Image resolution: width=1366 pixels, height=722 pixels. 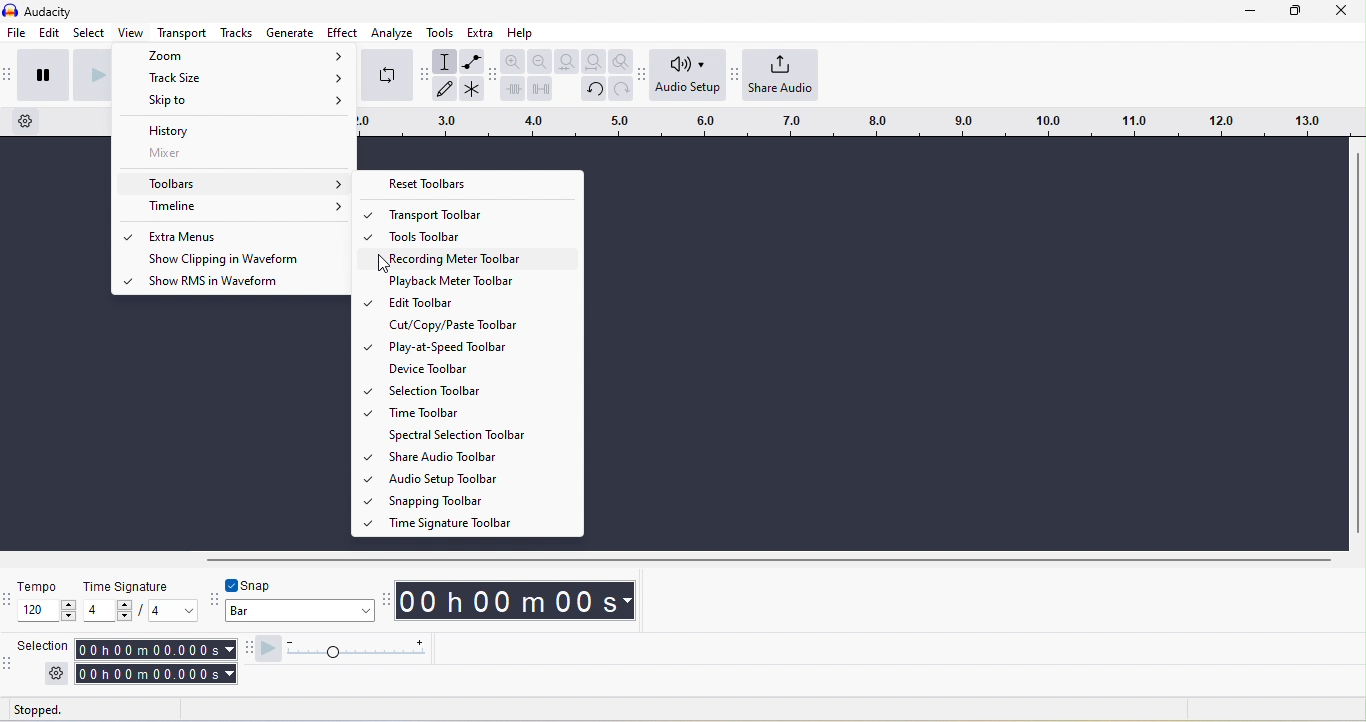 I want to click on select snapping, so click(x=300, y=610).